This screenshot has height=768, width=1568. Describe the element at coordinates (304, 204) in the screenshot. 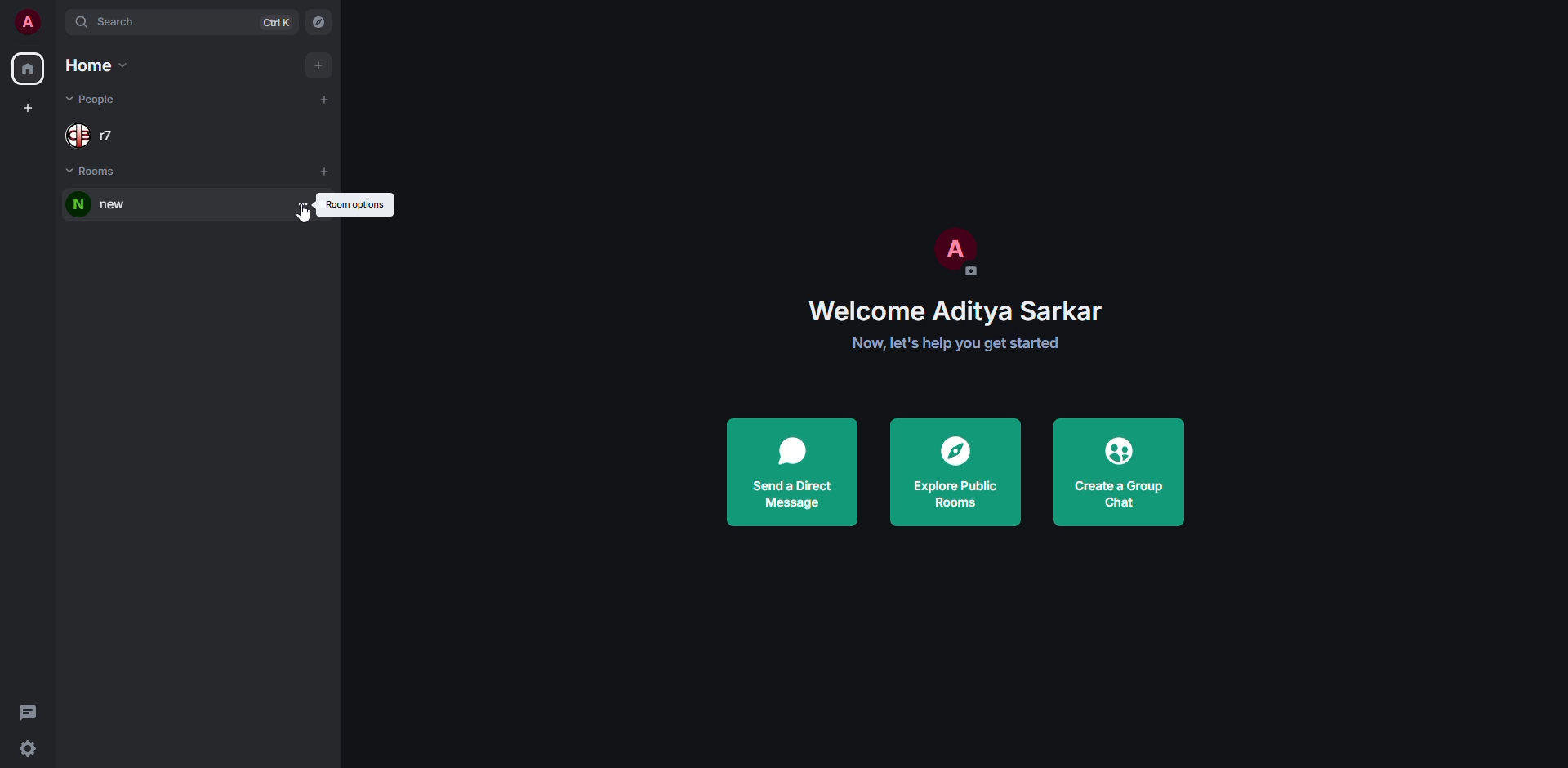

I see `room options` at that location.